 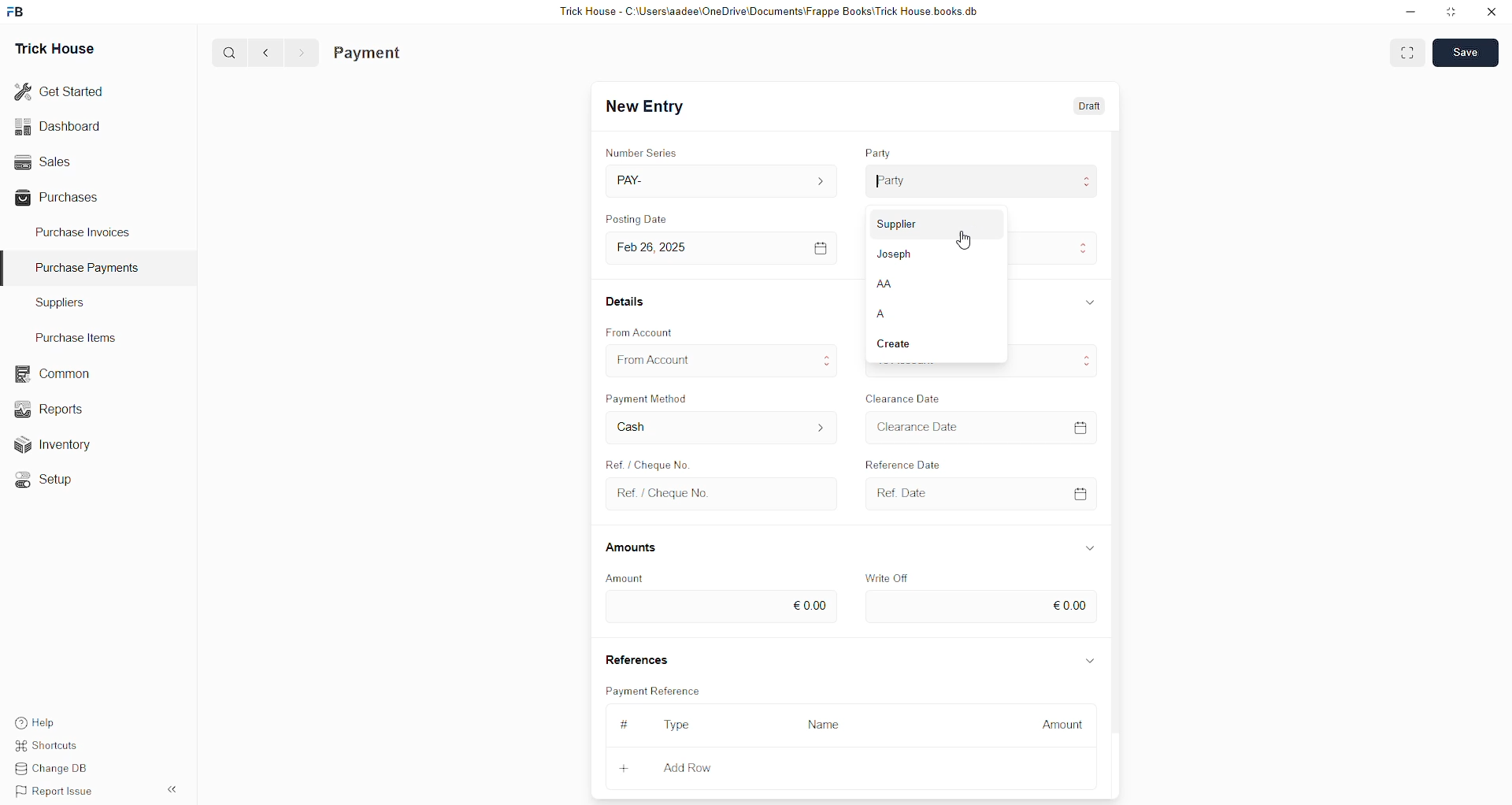 I want to click on Details, so click(x=625, y=302).